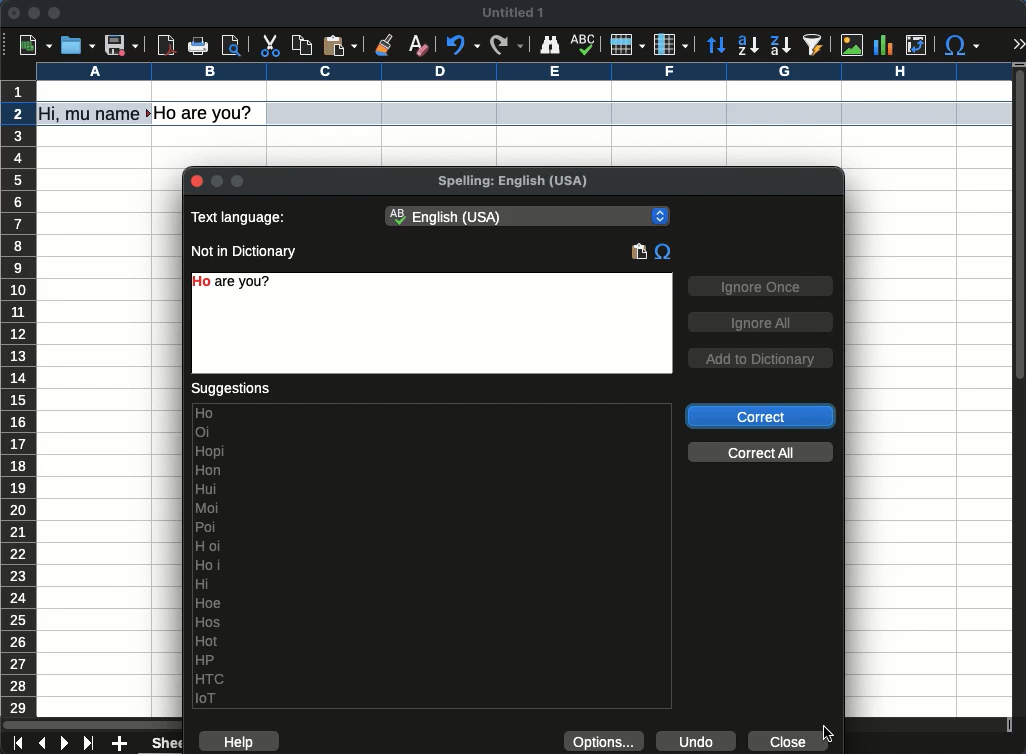 Image resolution: width=1026 pixels, height=754 pixels. What do you see at coordinates (210, 603) in the screenshot?
I see `Hoe` at bounding box center [210, 603].